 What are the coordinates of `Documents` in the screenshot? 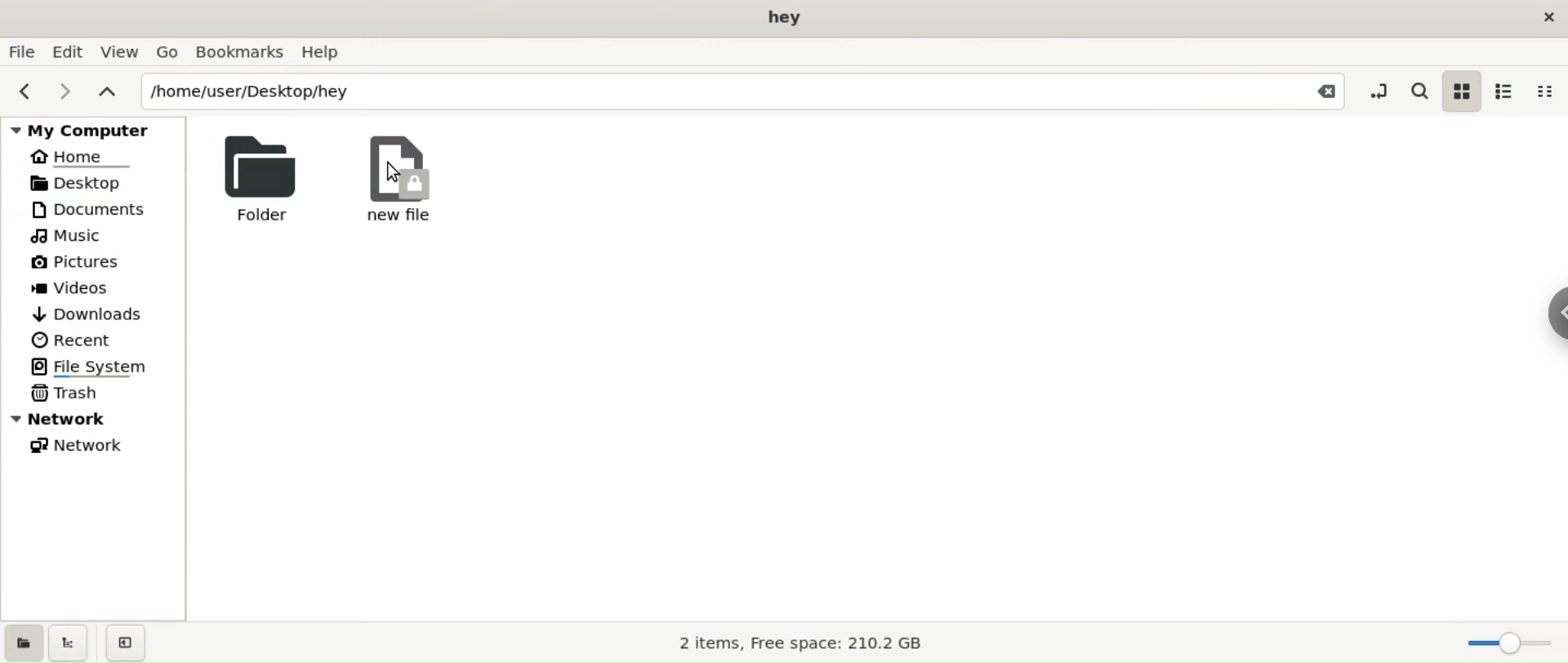 It's located at (96, 209).